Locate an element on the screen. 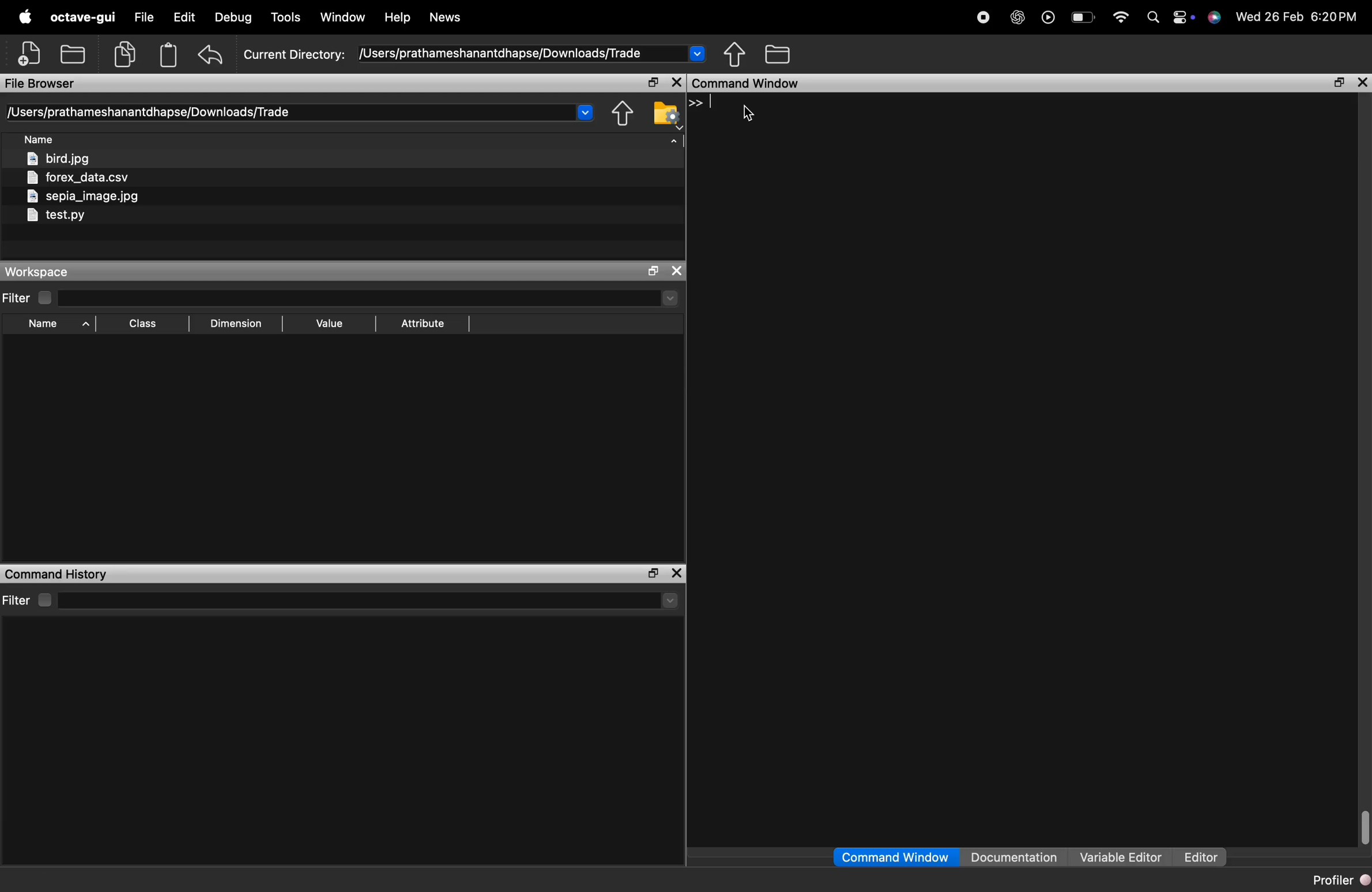  New file is located at coordinates (29, 53).